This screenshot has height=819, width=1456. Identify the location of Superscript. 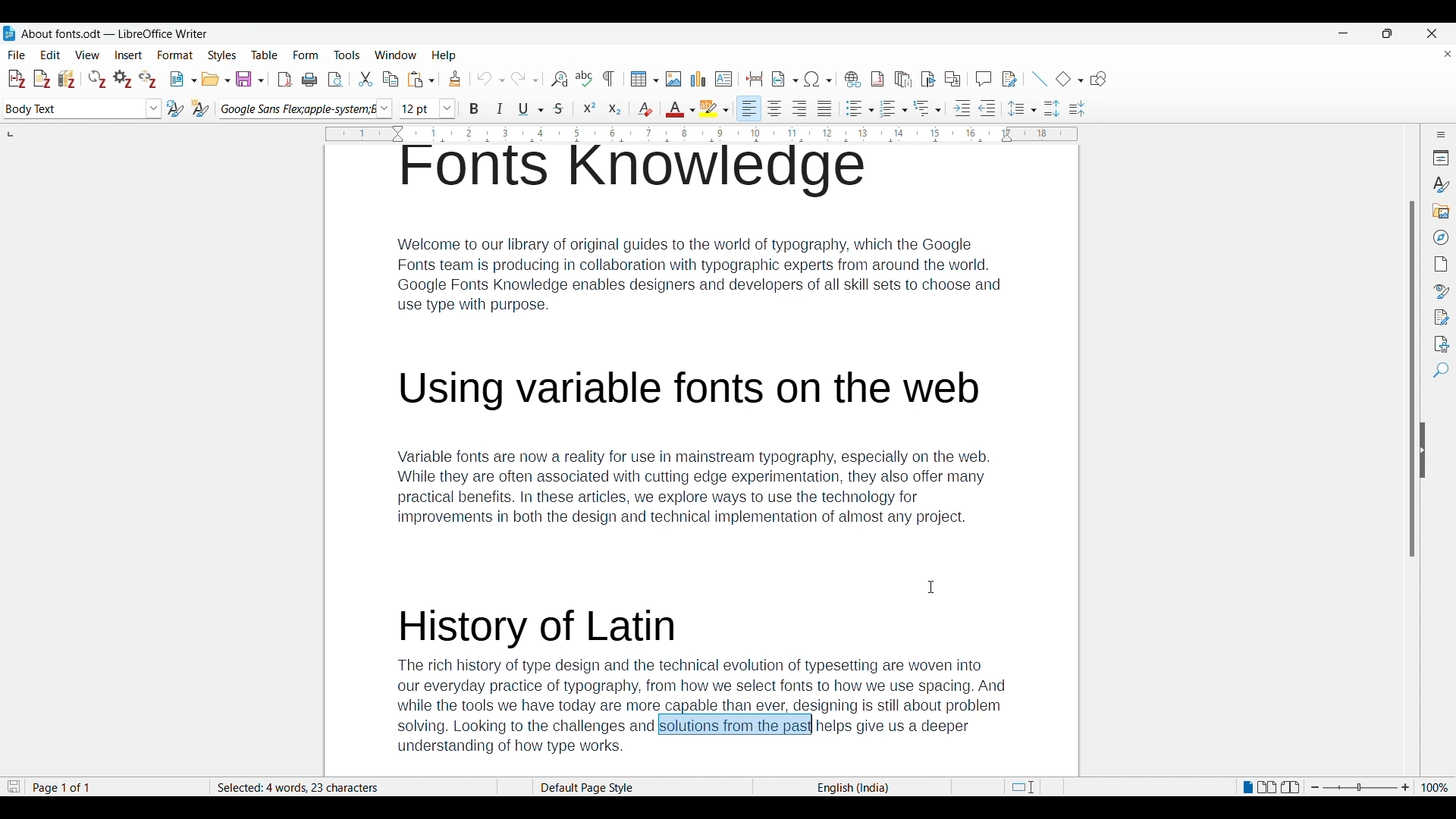
(590, 109).